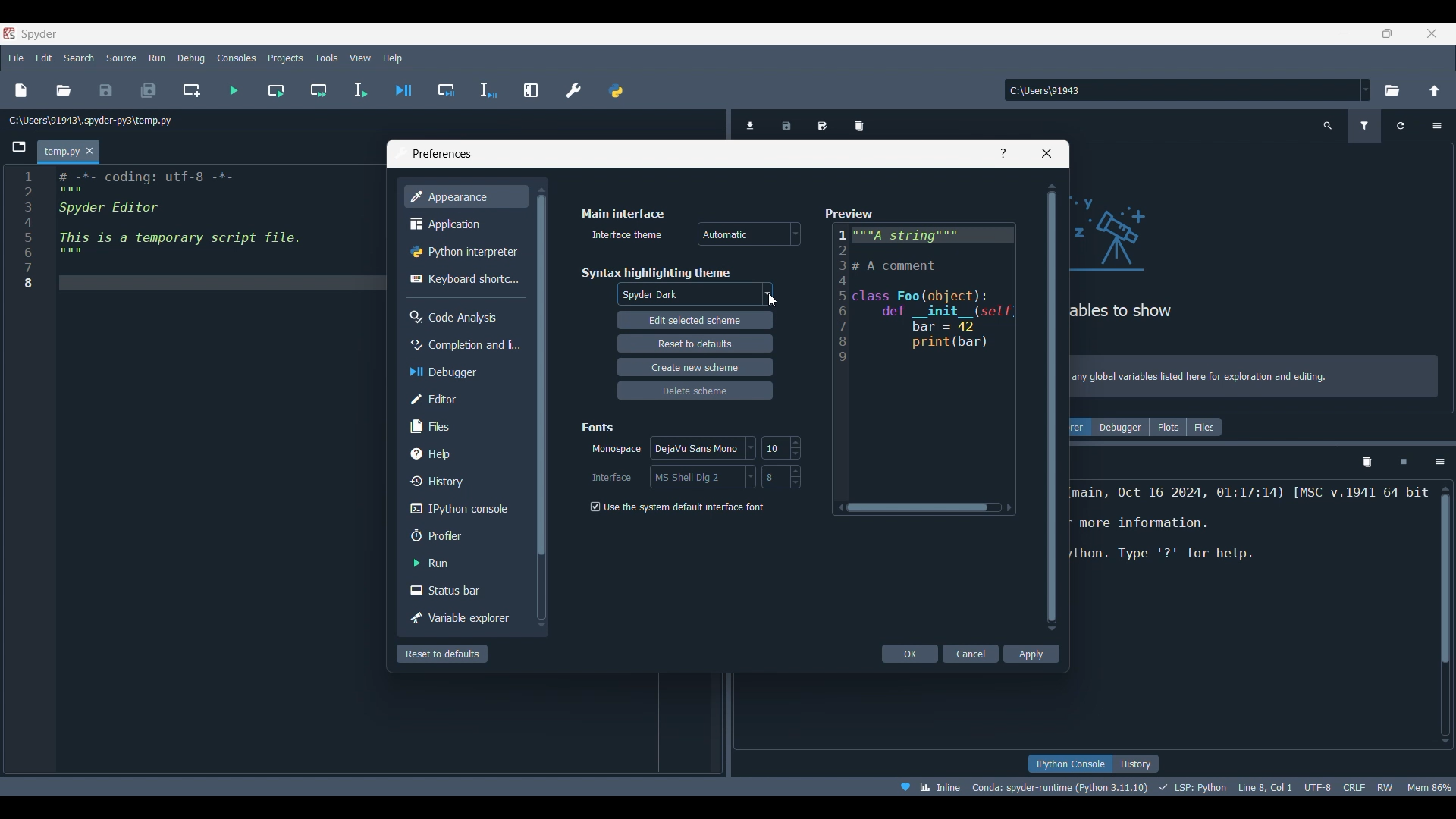 The height and width of the screenshot is (819, 1456). Describe the element at coordinates (80, 58) in the screenshot. I see `Search menu` at that location.